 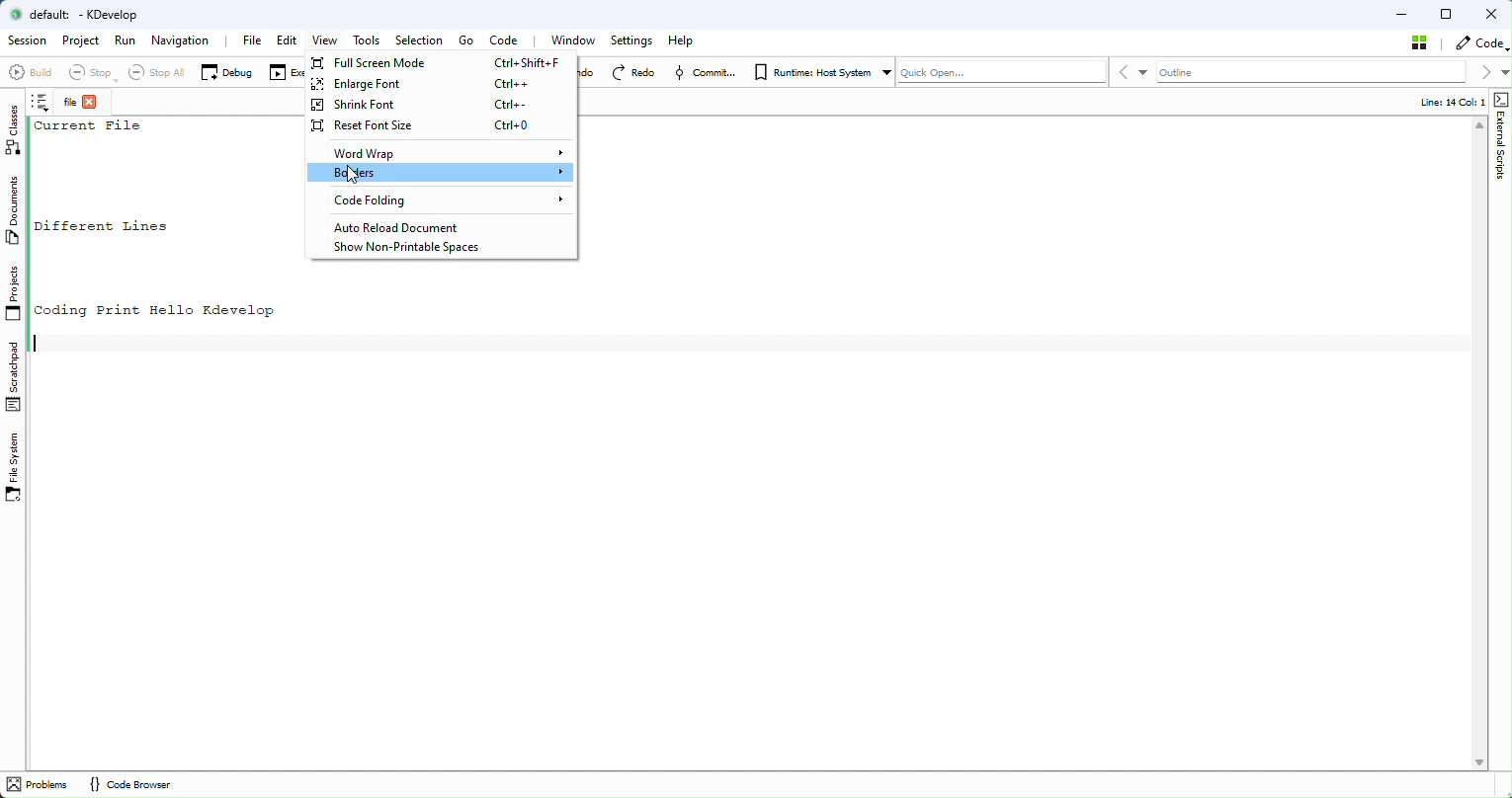 I want to click on Stachpad, so click(x=15, y=376).